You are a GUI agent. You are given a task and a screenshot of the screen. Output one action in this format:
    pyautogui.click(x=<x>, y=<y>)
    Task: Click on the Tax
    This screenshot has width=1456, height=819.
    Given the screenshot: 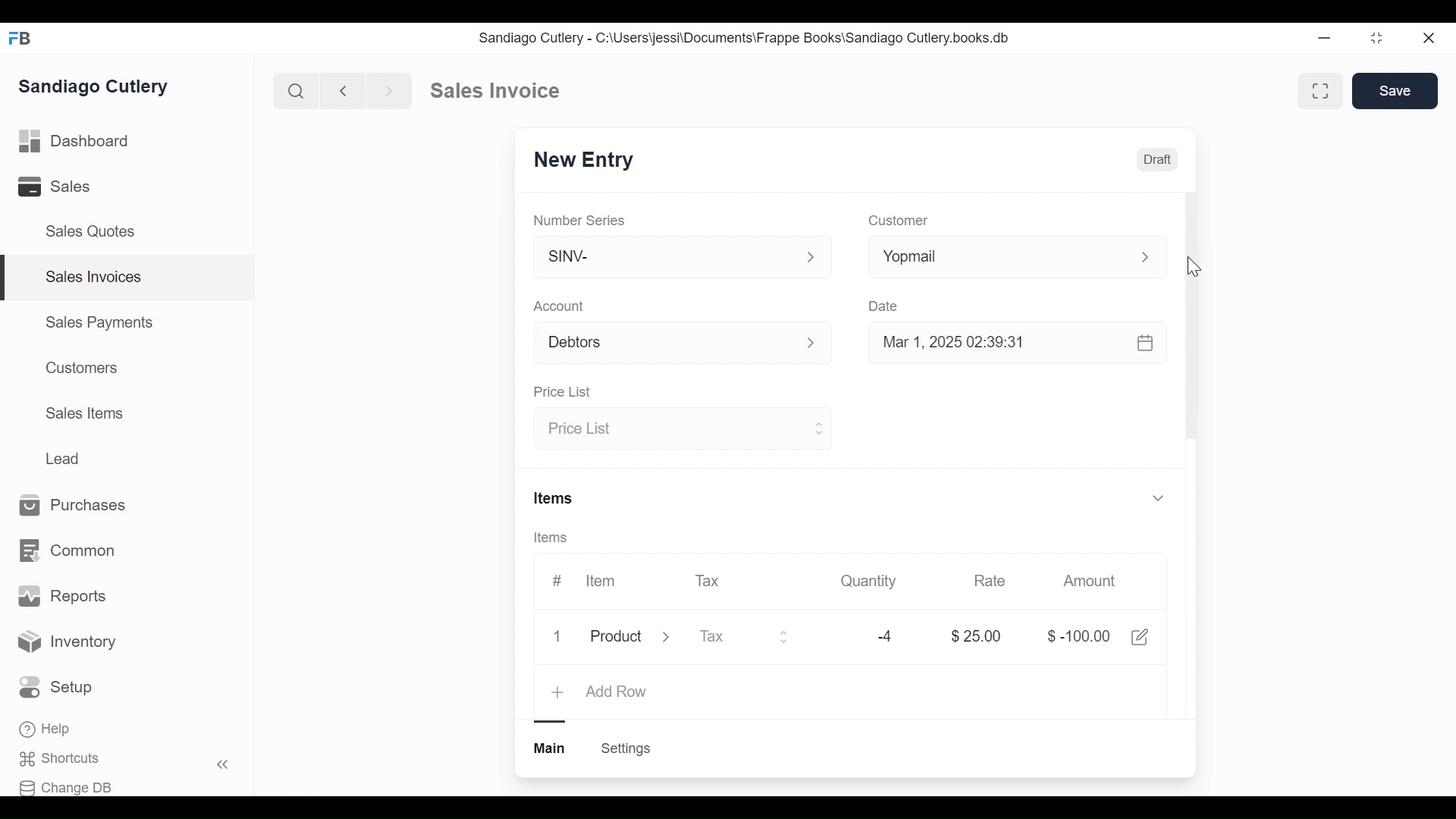 What is the action you would take?
    pyautogui.click(x=706, y=582)
    